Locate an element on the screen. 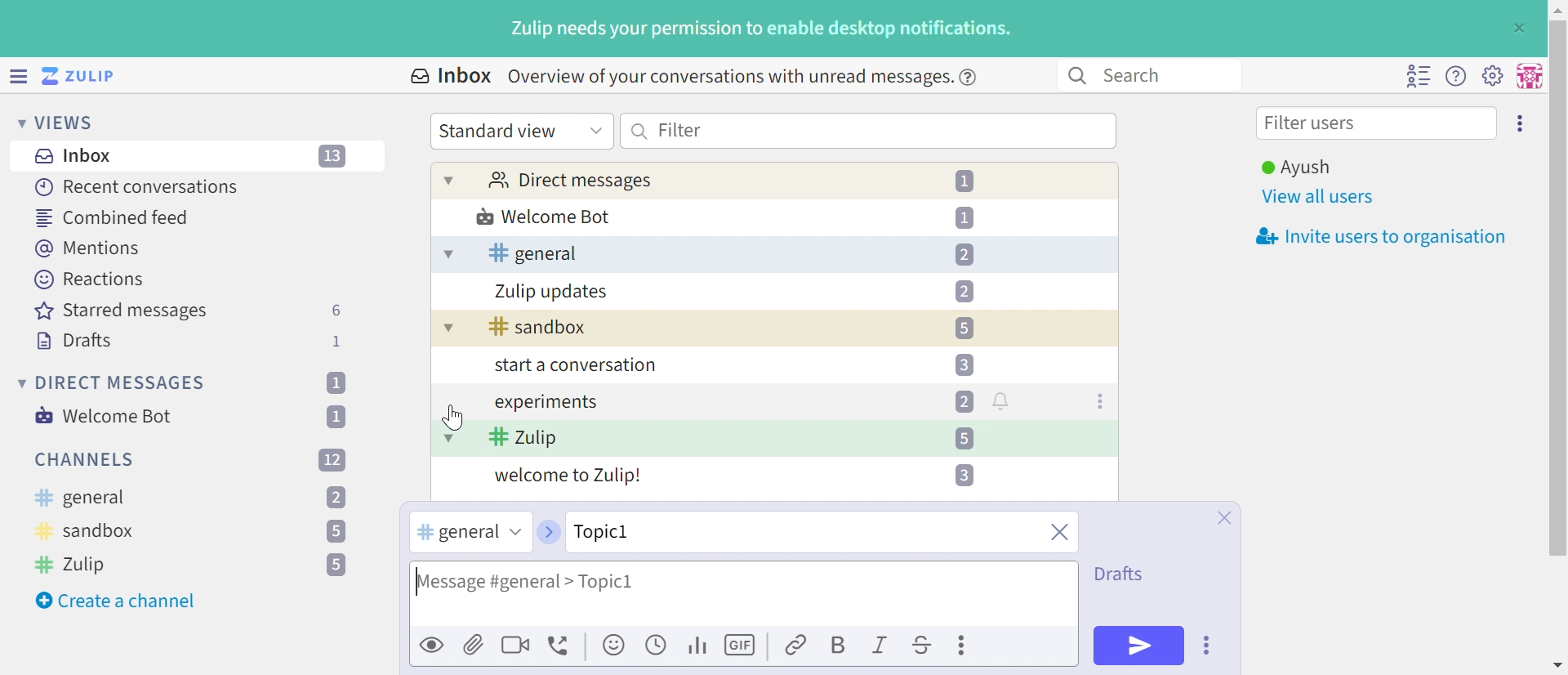 The height and width of the screenshot is (675, 1568). Invite users to organisation is located at coordinates (1376, 238).